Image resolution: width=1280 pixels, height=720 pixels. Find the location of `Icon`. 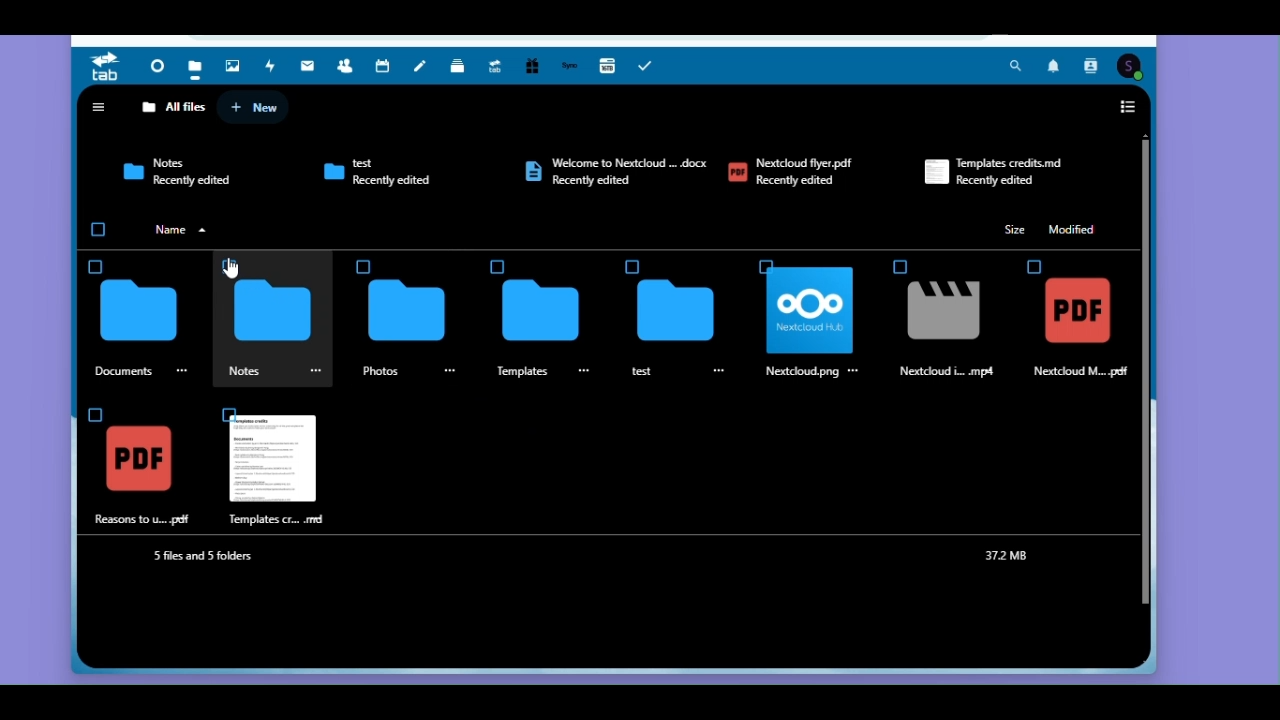

Icon is located at coordinates (813, 313).